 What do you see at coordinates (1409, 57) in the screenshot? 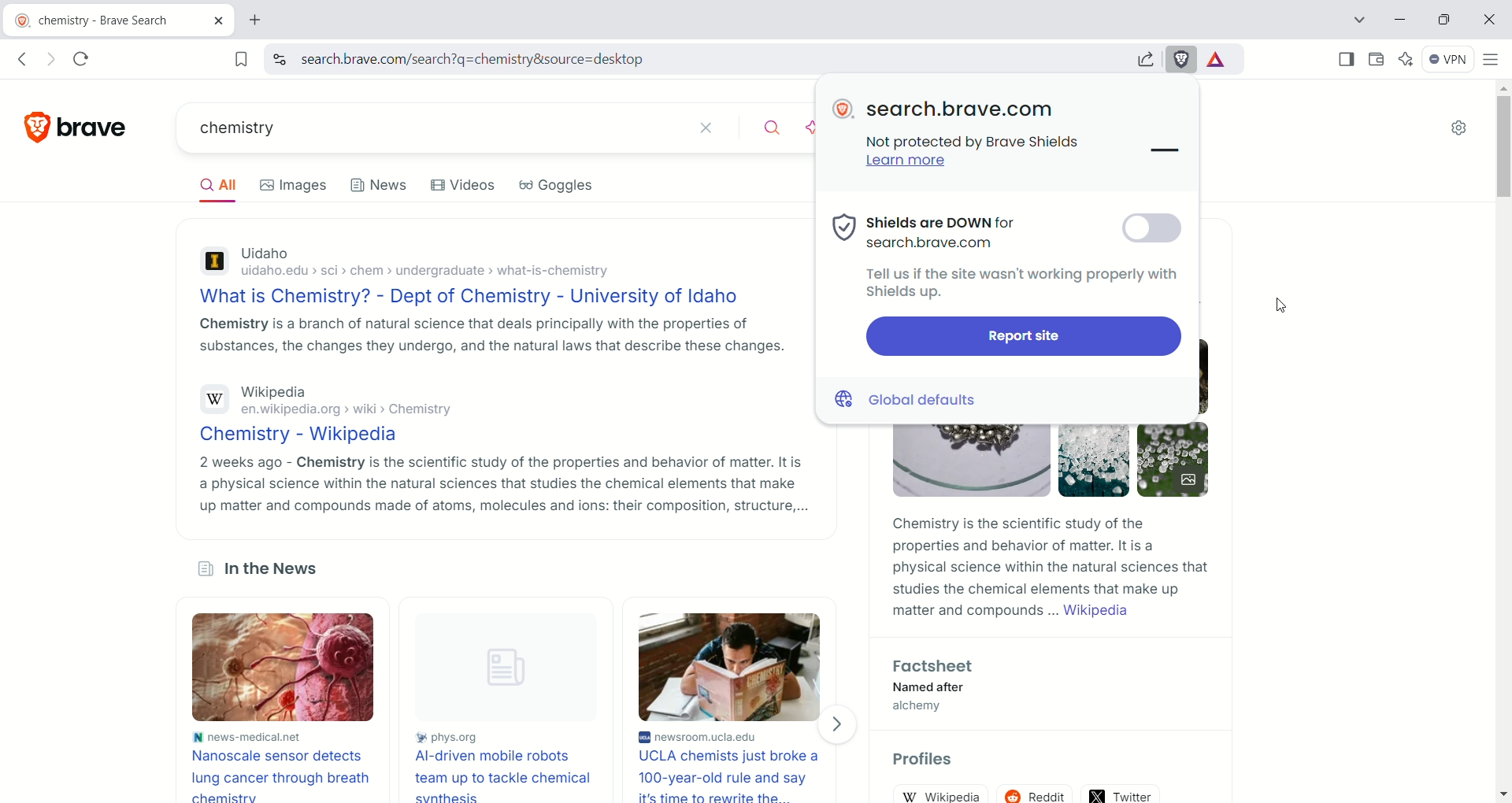
I see `leo AI` at bounding box center [1409, 57].